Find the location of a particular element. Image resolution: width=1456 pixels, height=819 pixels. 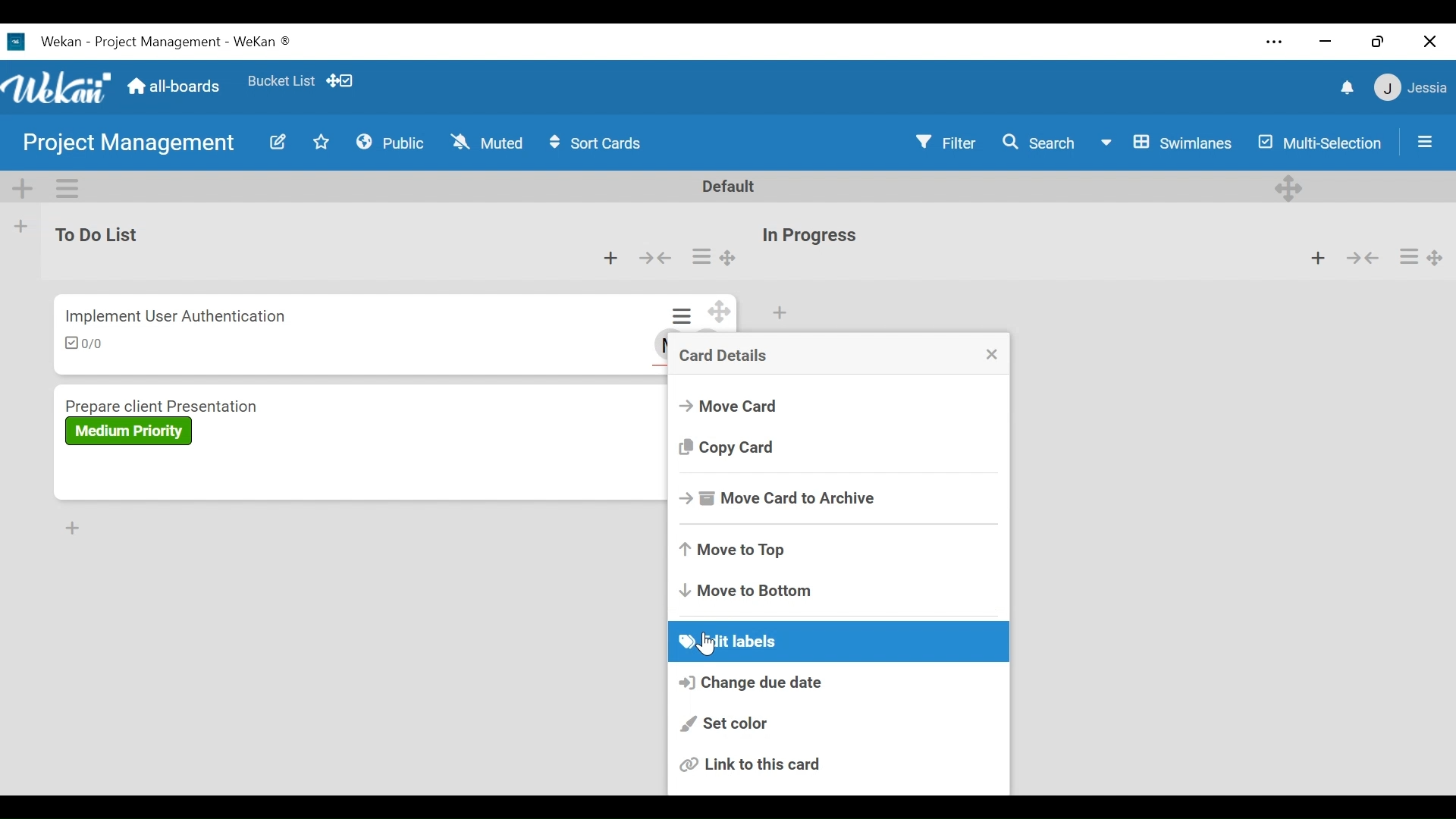

Add card to top of the list is located at coordinates (779, 313).